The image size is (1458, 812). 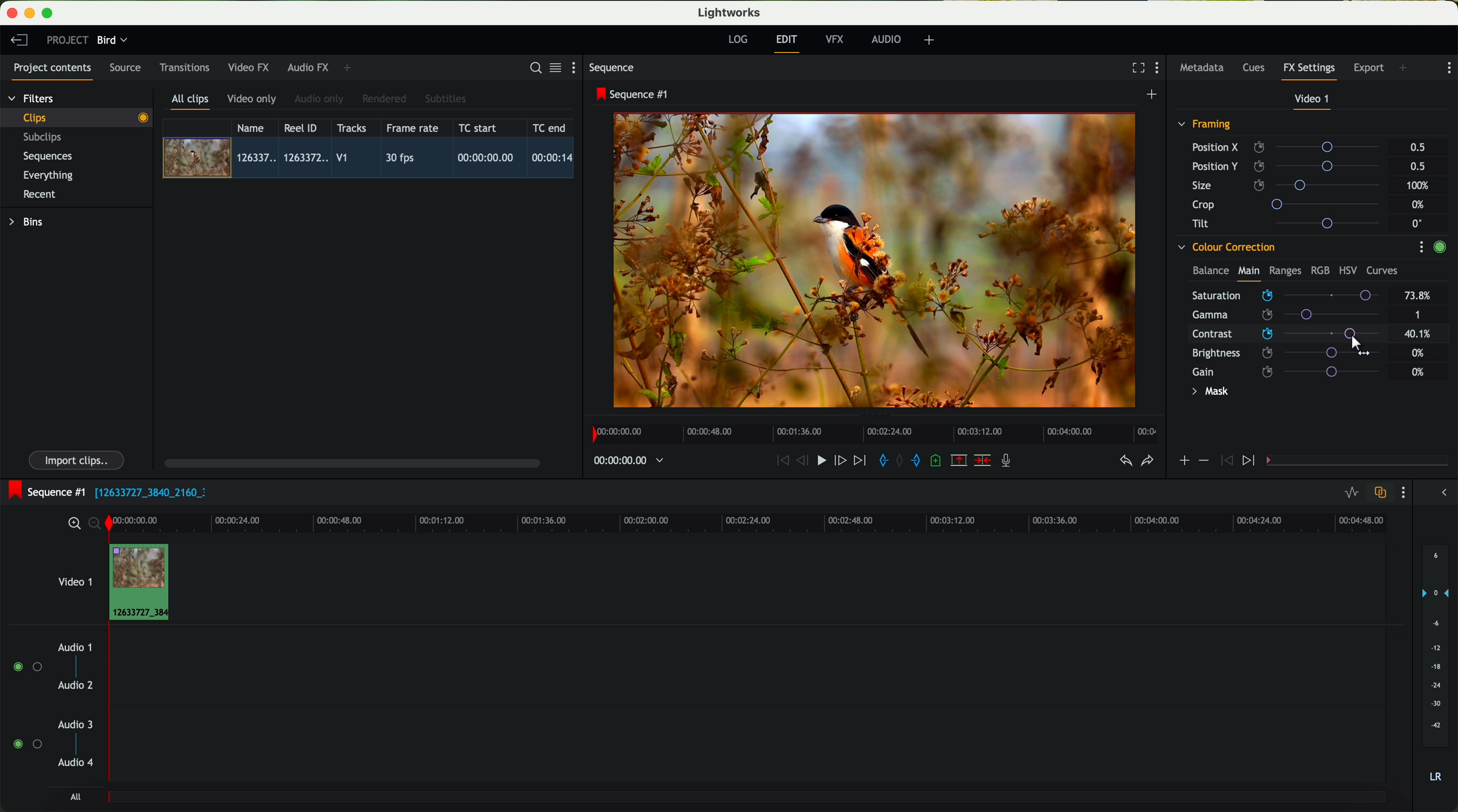 I want to click on gain, so click(x=1293, y=371).